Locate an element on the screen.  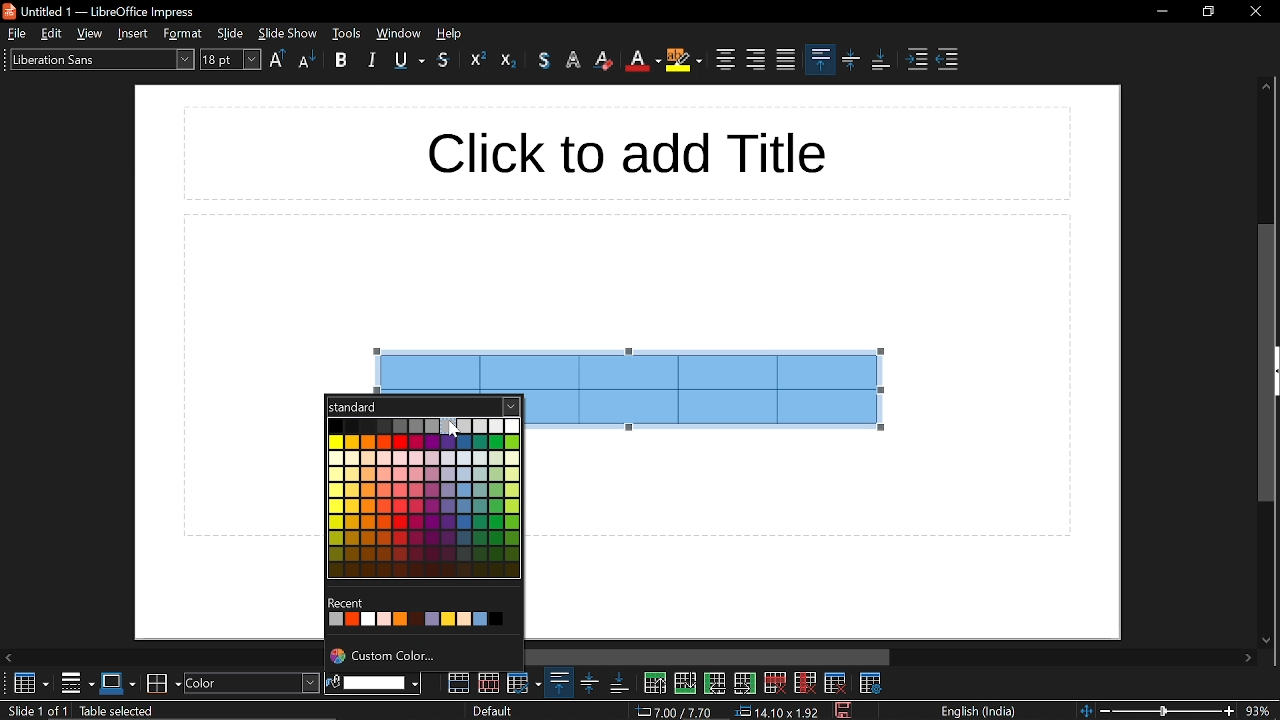
recent is located at coordinates (425, 620).